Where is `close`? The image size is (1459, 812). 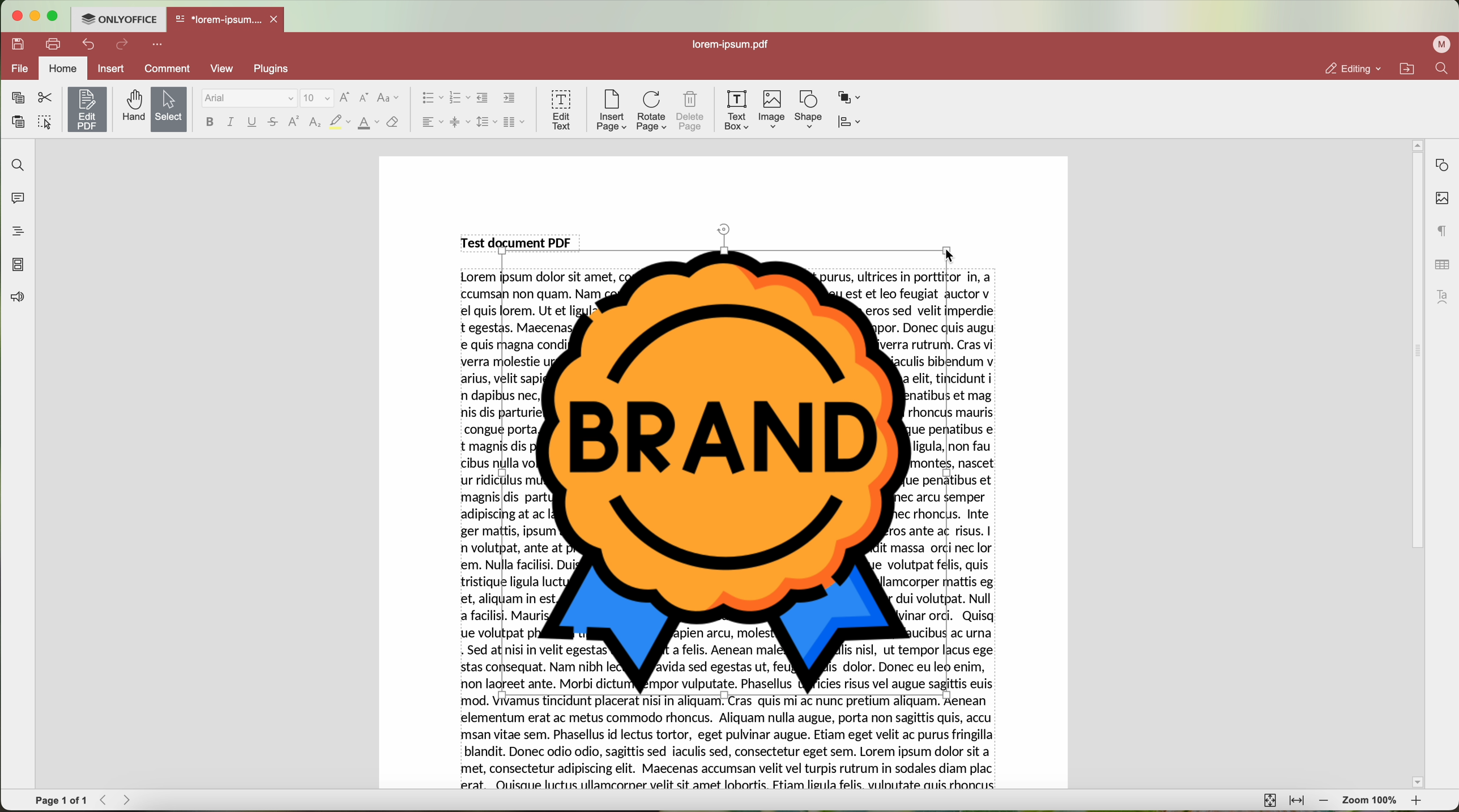
close is located at coordinates (276, 19).